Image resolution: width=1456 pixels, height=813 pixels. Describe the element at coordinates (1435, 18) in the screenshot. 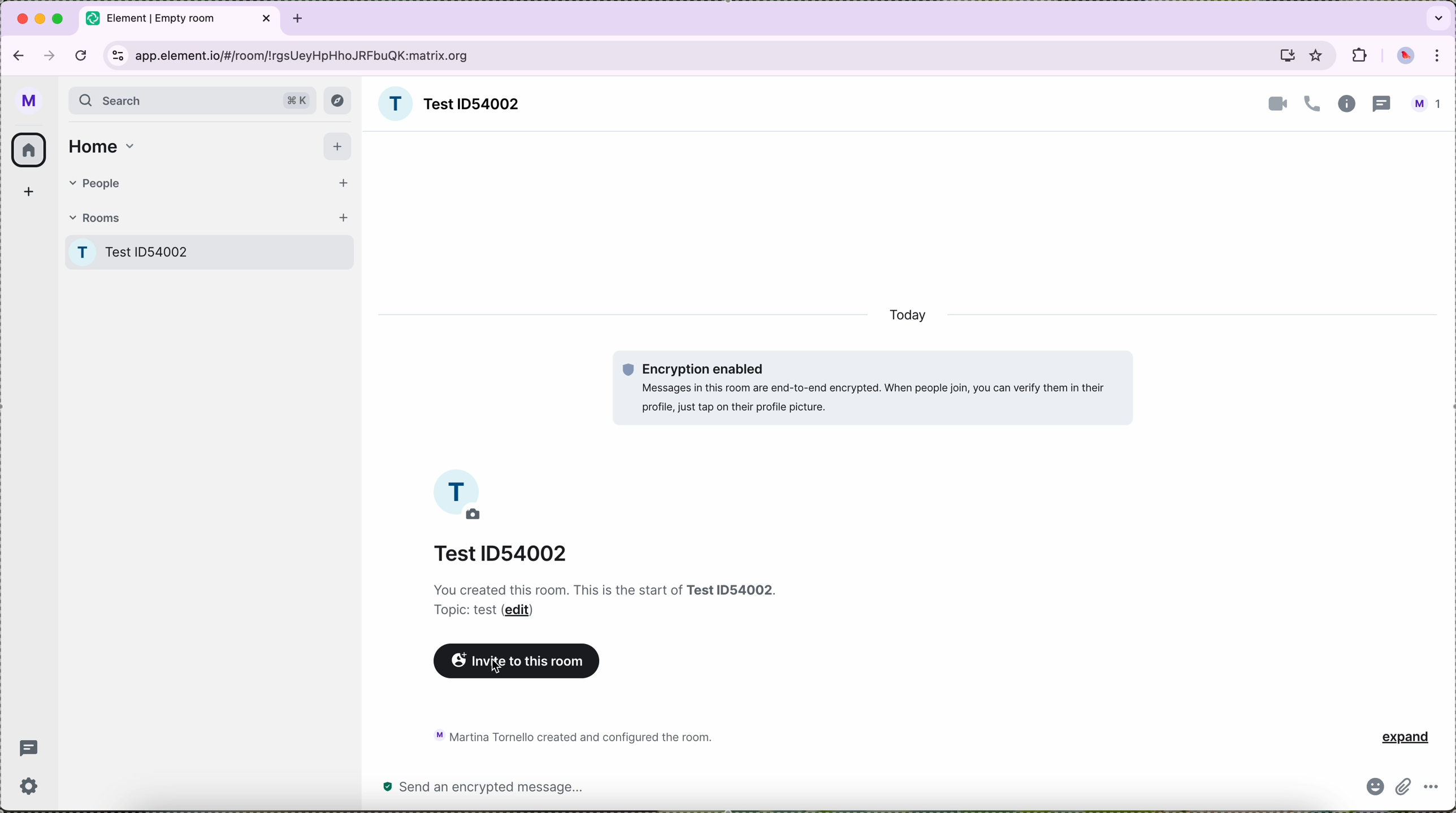

I see `search tabs` at that location.